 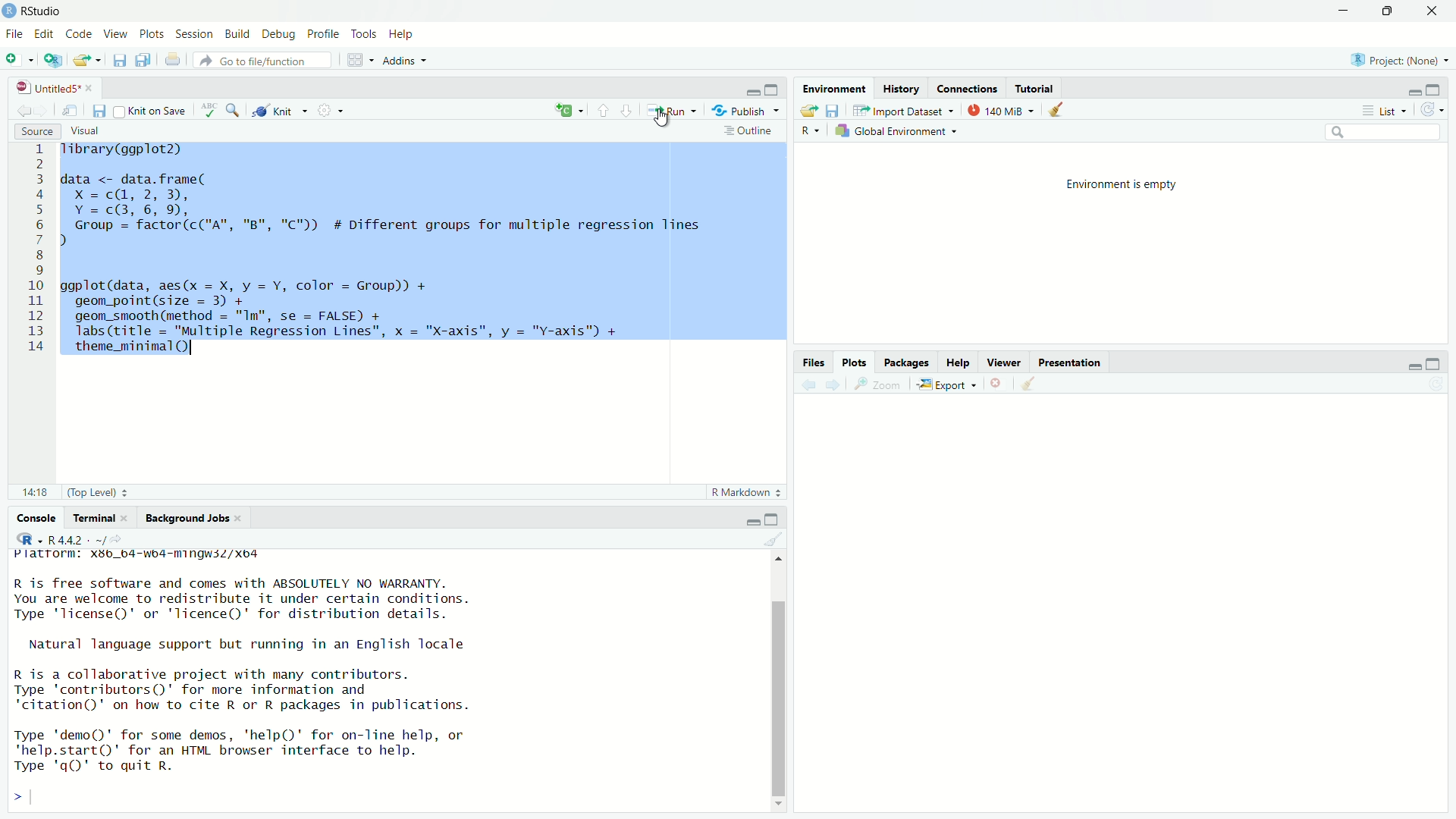 I want to click on Global Environment ~, so click(x=898, y=130).